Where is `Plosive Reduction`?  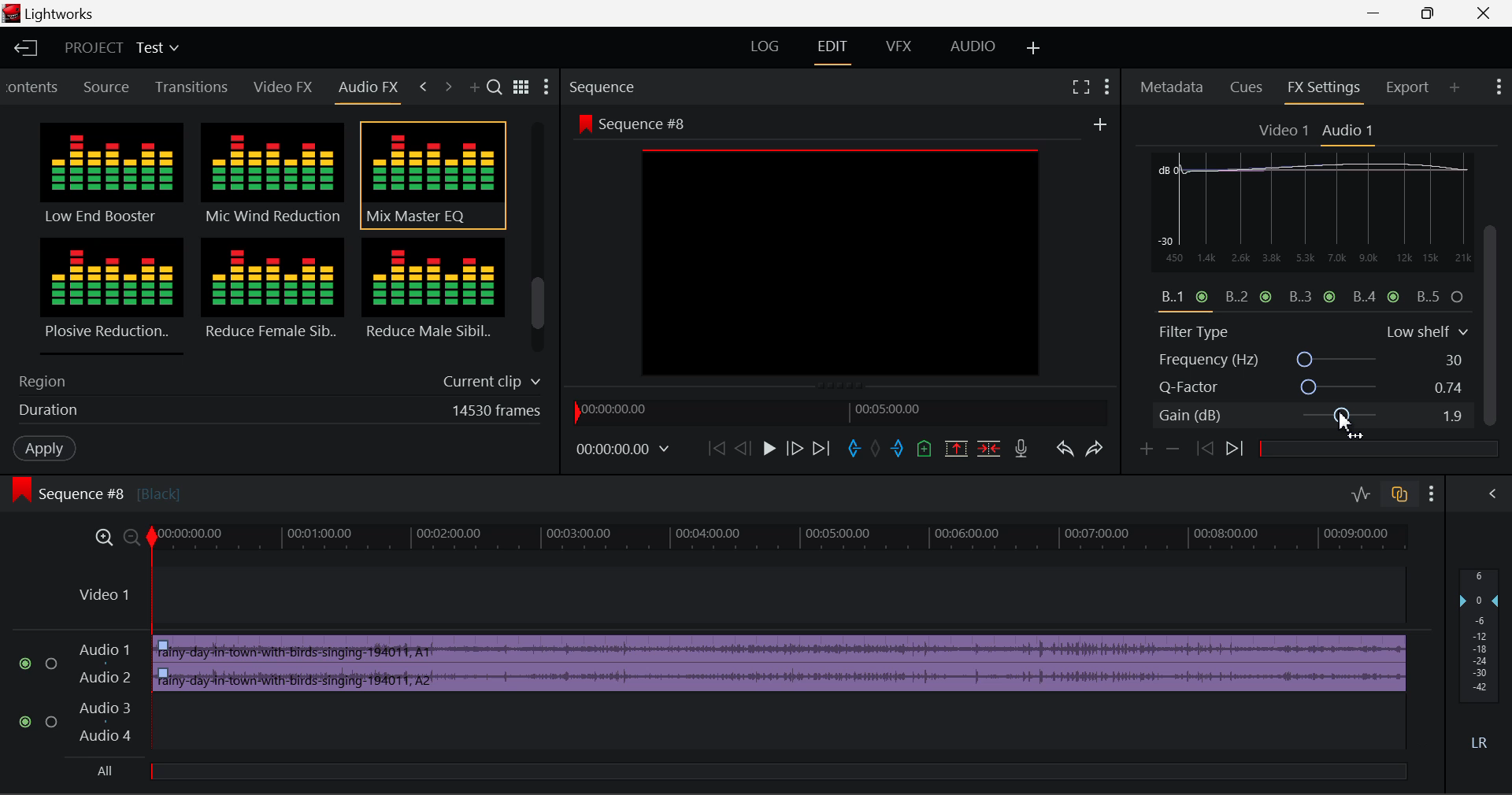
Plosive Reduction is located at coordinates (109, 294).